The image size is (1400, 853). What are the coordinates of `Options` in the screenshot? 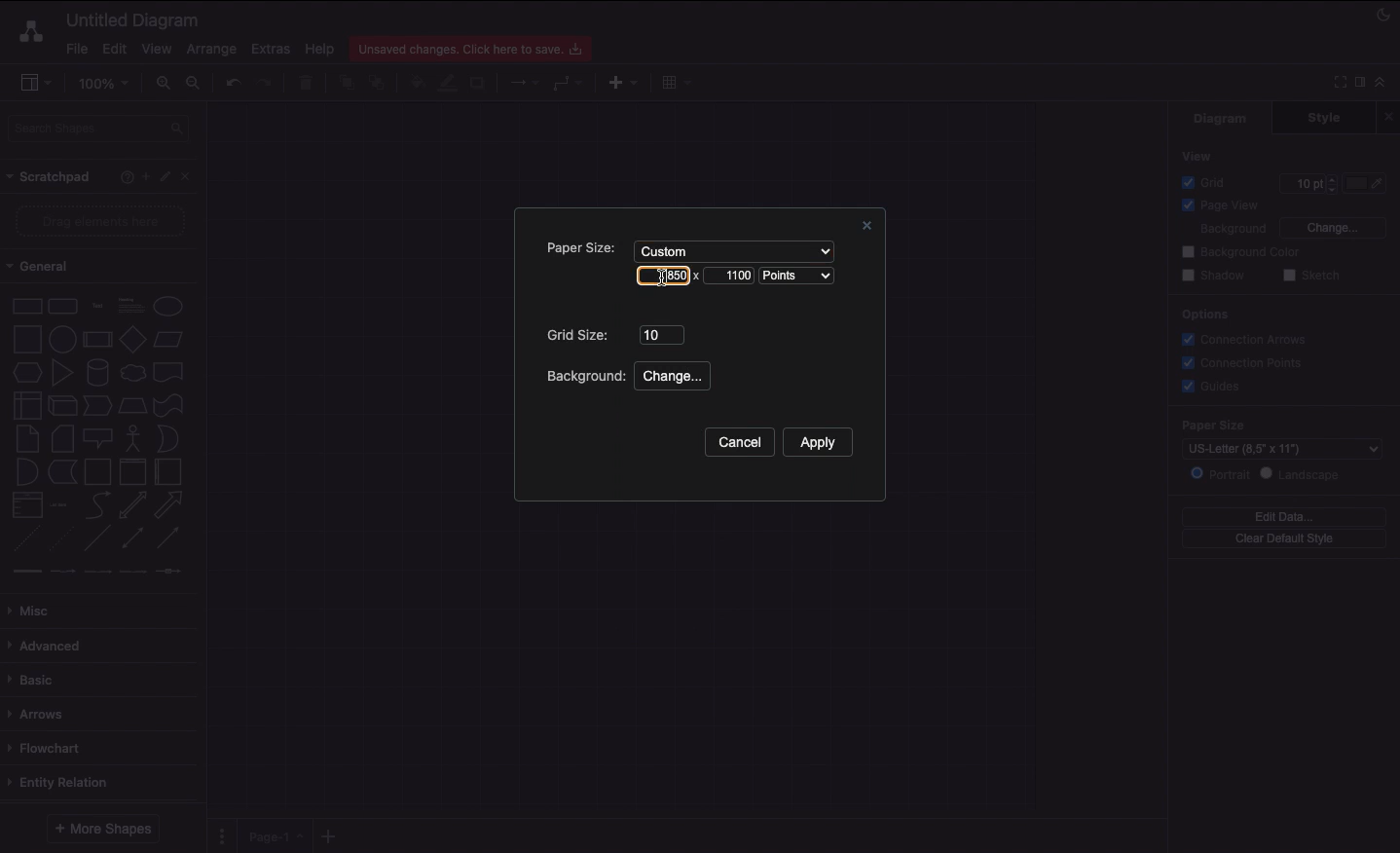 It's located at (1203, 314).